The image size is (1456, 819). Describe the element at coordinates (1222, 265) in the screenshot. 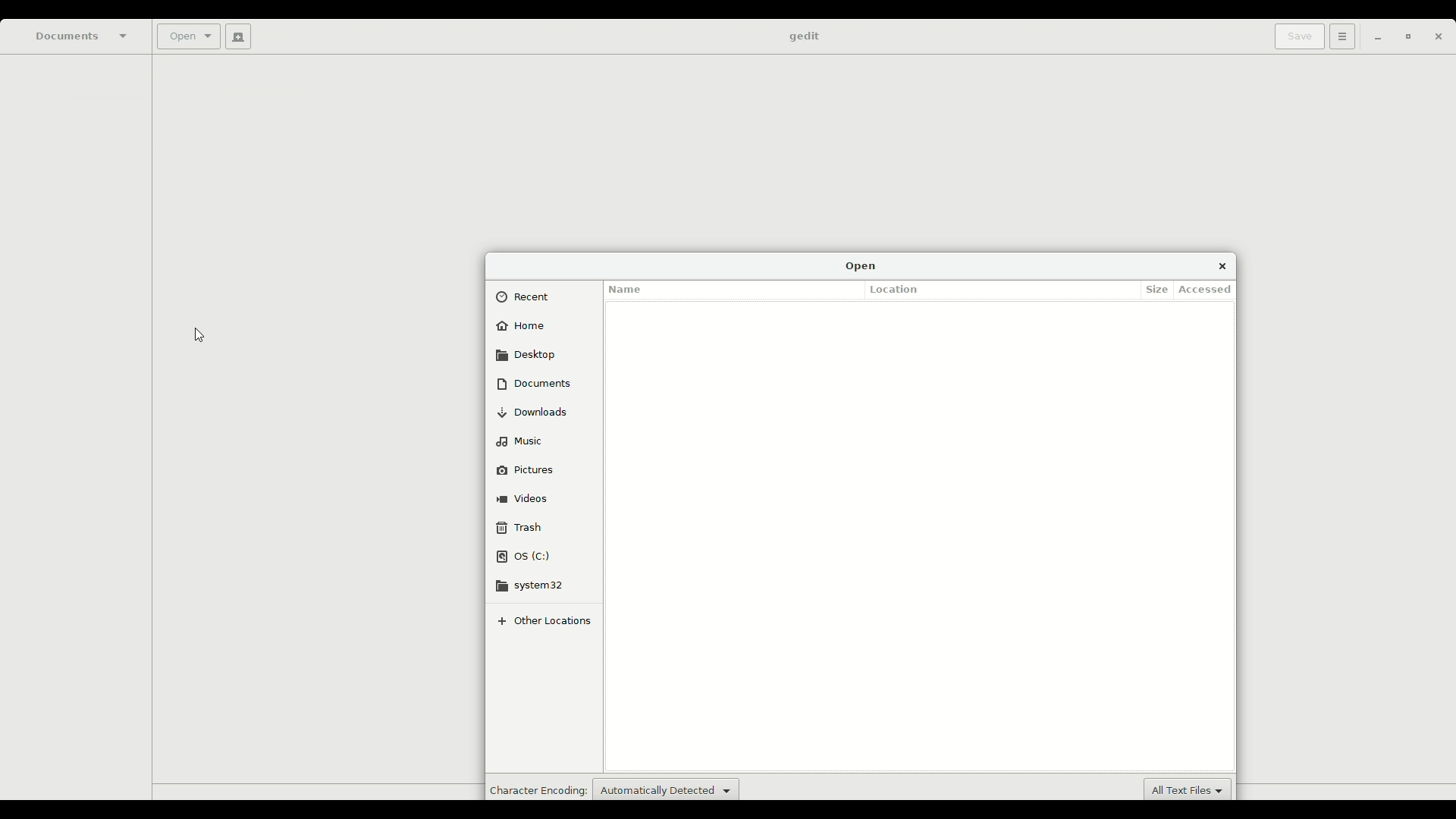

I see `Close` at that location.